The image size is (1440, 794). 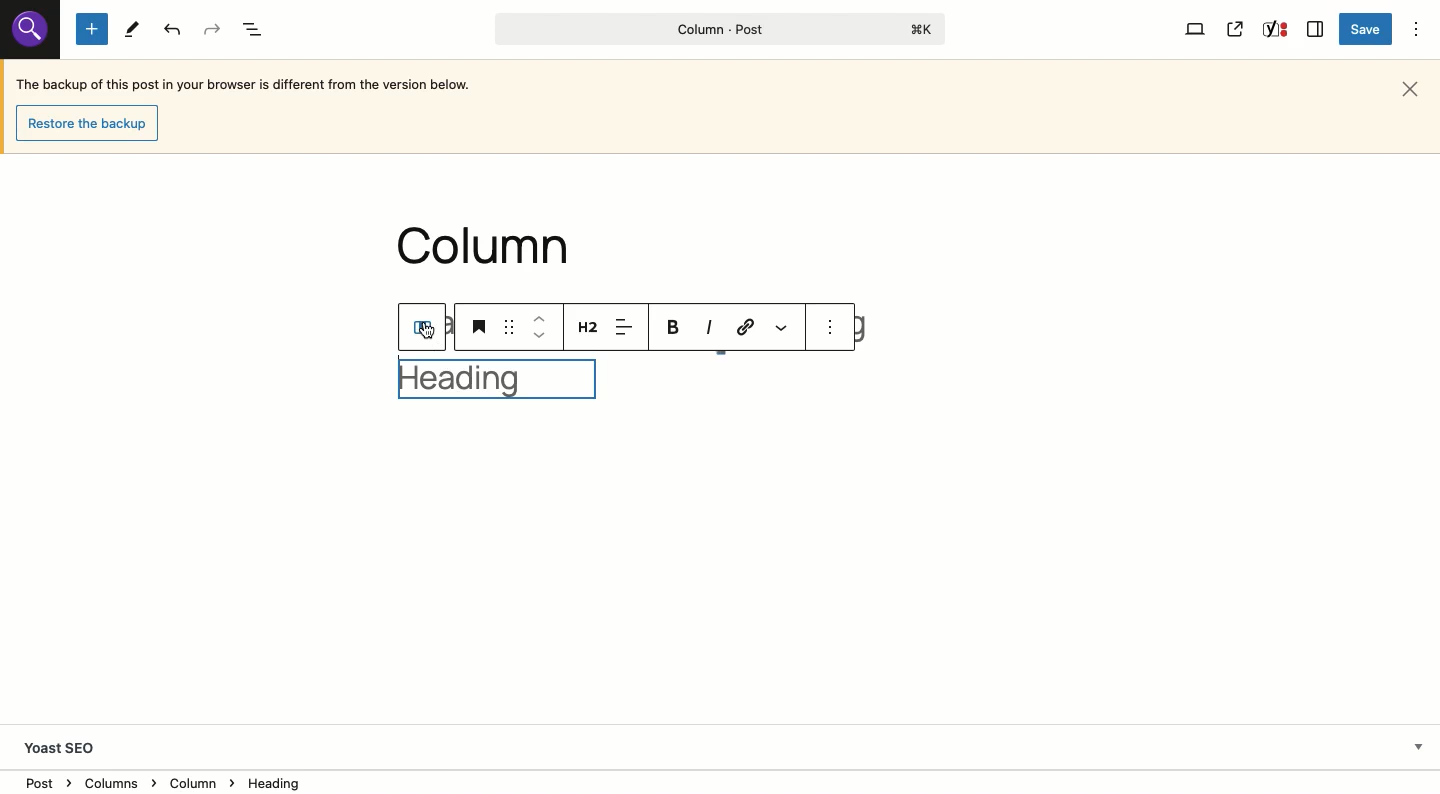 What do you see at coordinates (478, 327) in the screenshot?
I see `Heading` at bounding box center [478, 327].